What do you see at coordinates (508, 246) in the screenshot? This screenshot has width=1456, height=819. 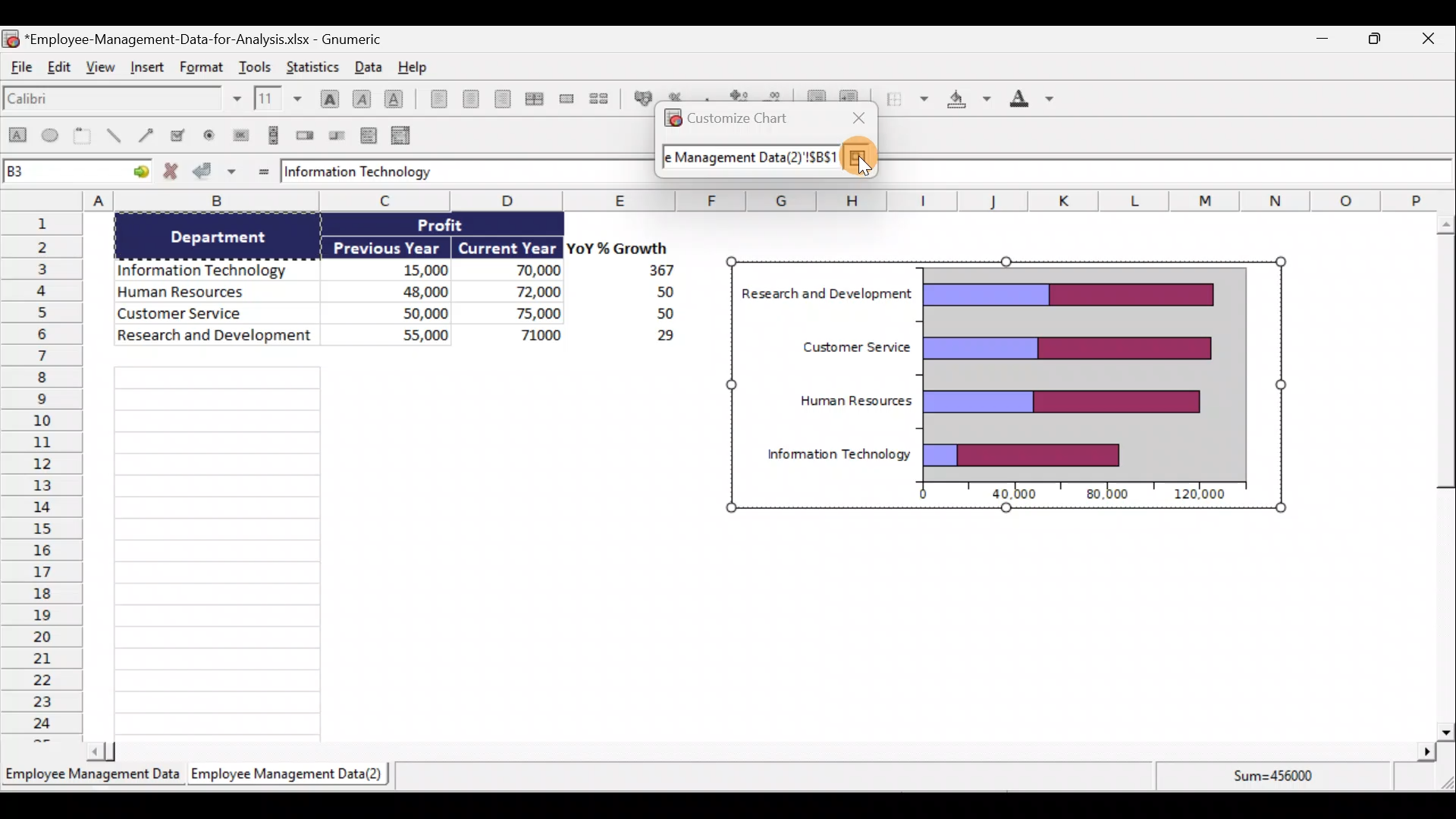 I see `Current Year` at bounding box center [508, 246].